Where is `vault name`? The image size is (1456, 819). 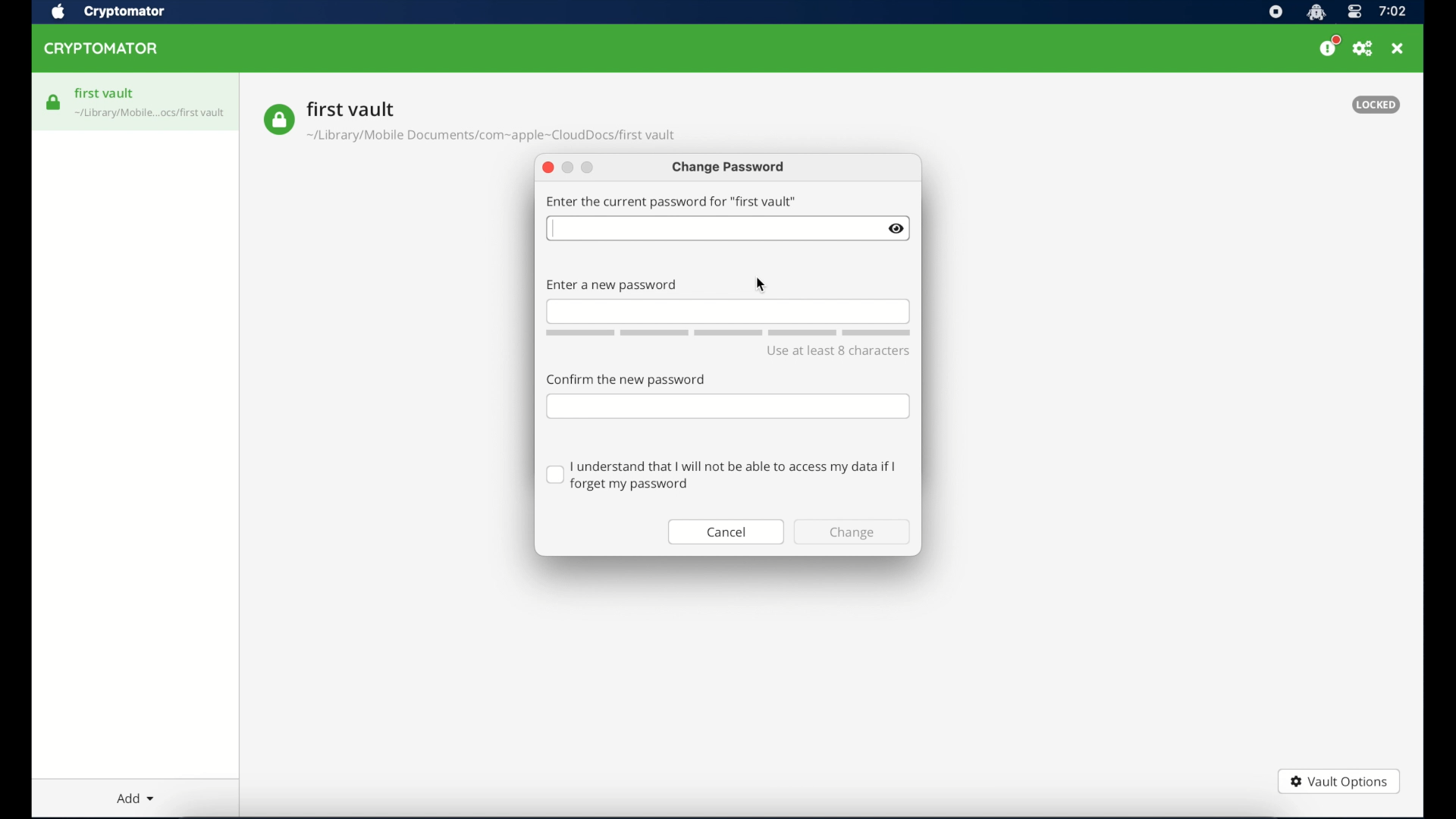
vault name is located at coordinates (351, 108).